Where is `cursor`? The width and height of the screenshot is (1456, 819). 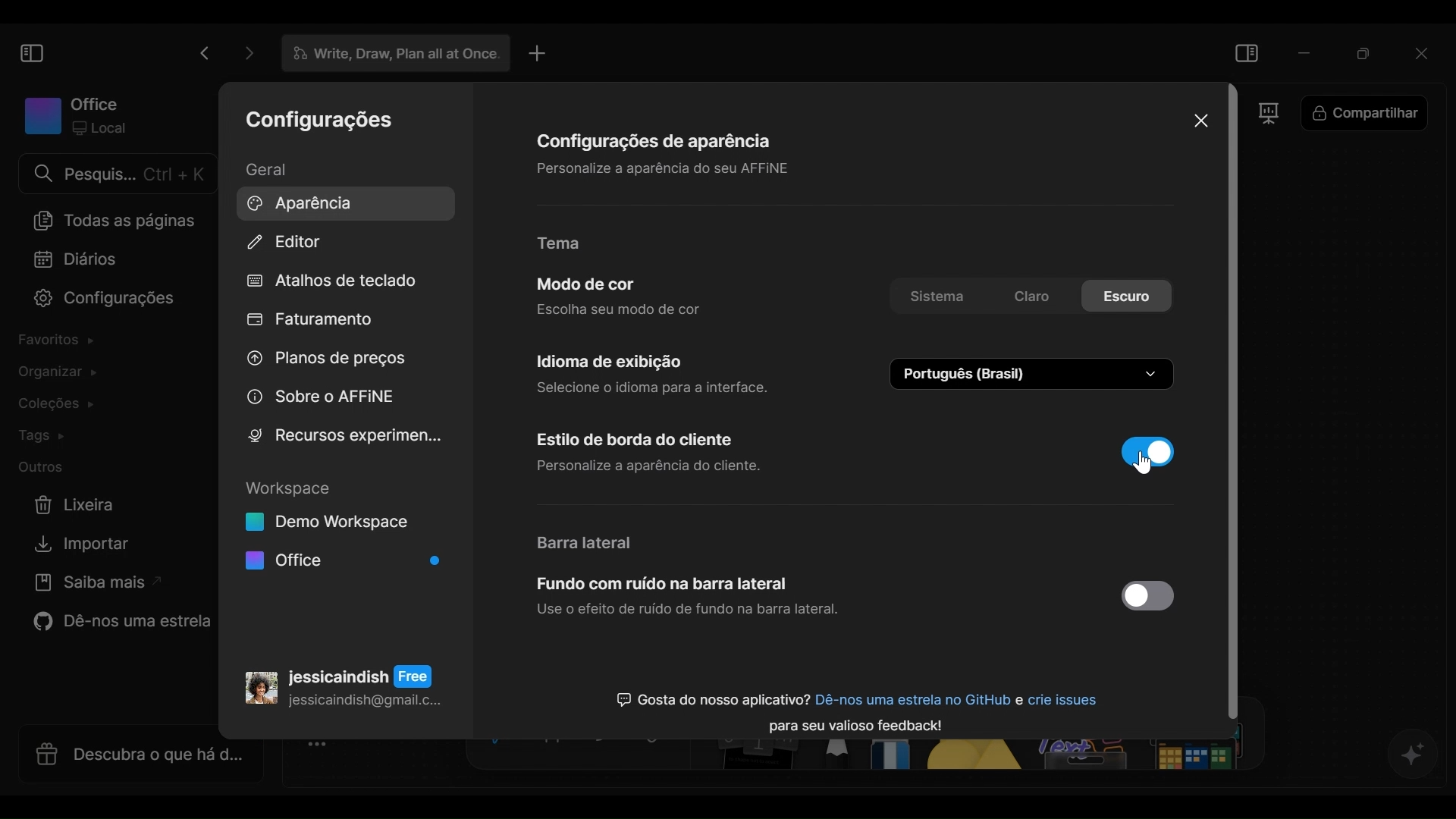 cursor is located at coordinates (1151, 470).